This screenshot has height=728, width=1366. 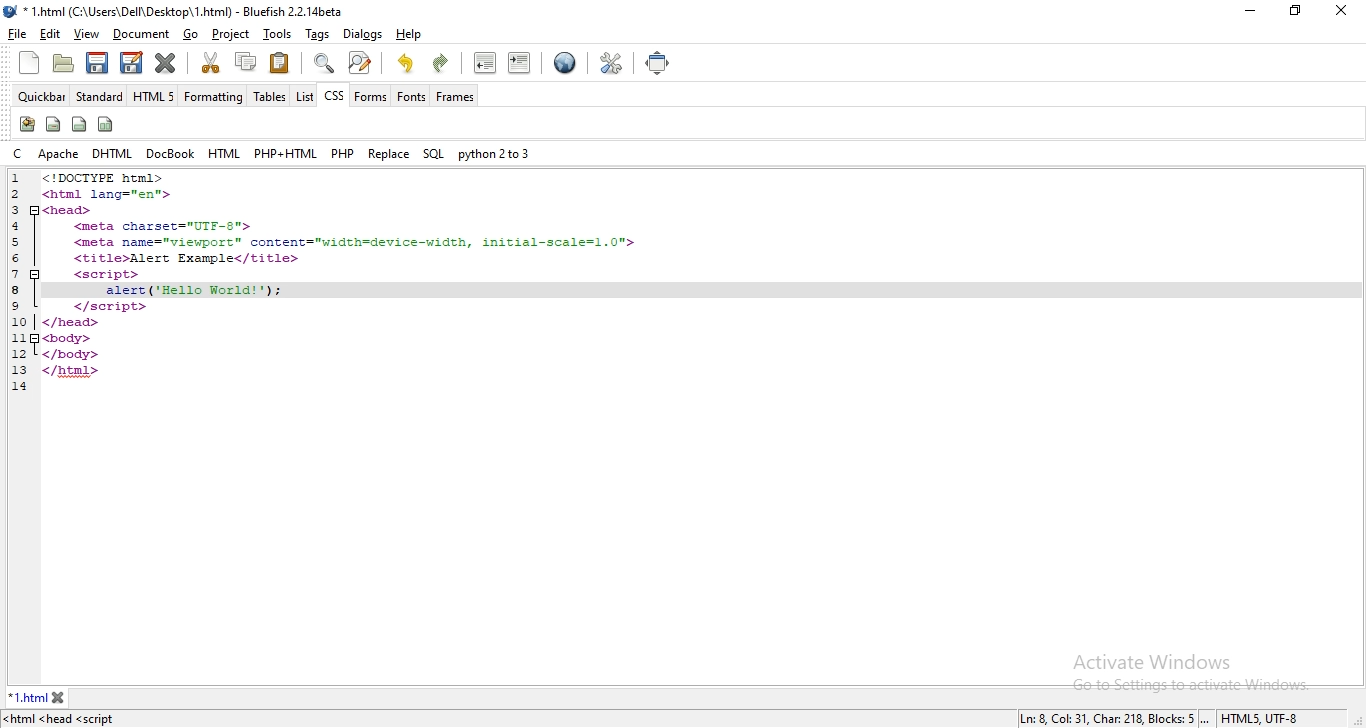 I want to click on dhtml, so click(x=114, y=151).